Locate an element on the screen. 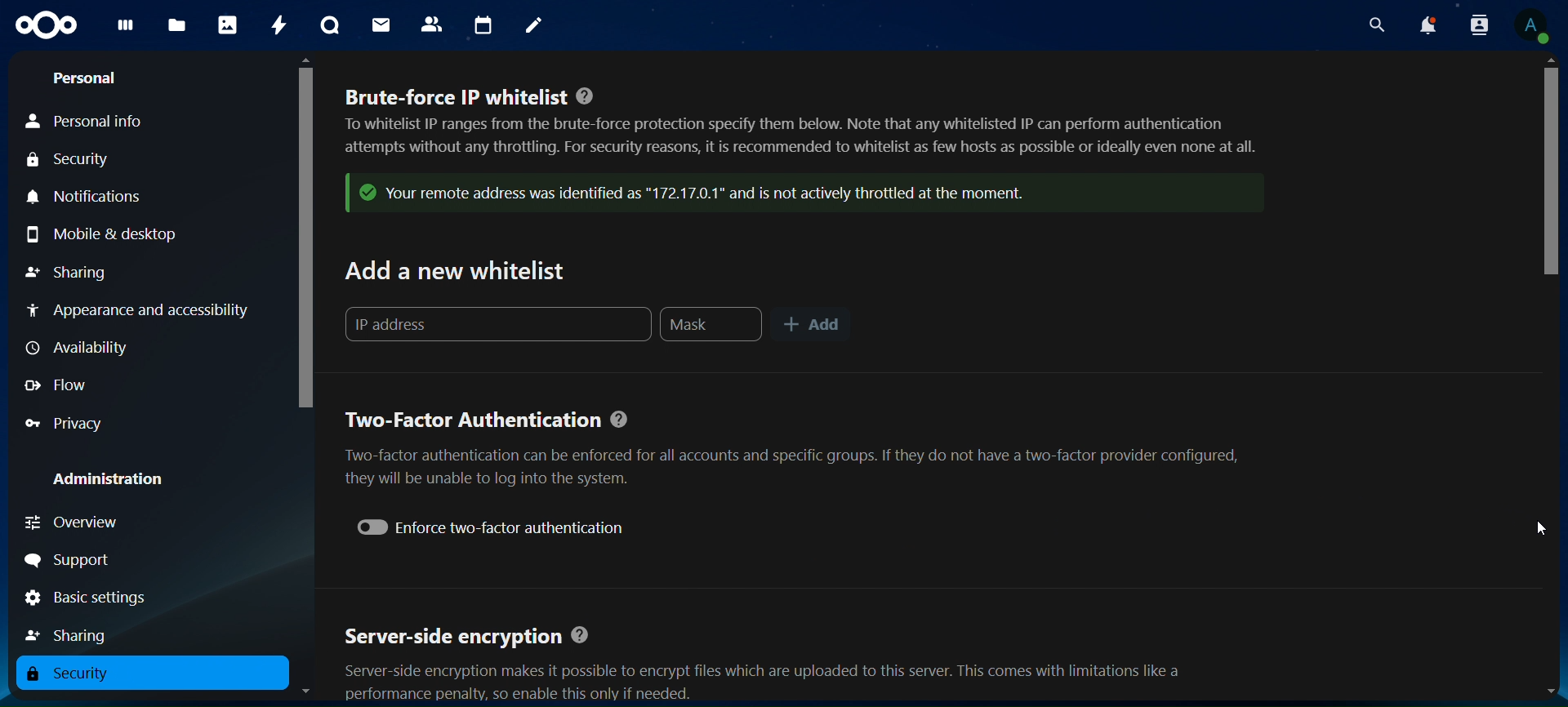 Image resolution: width=1568 pixels, height=707 pixels. add a new whitelist is located at coordinates (461, 270).